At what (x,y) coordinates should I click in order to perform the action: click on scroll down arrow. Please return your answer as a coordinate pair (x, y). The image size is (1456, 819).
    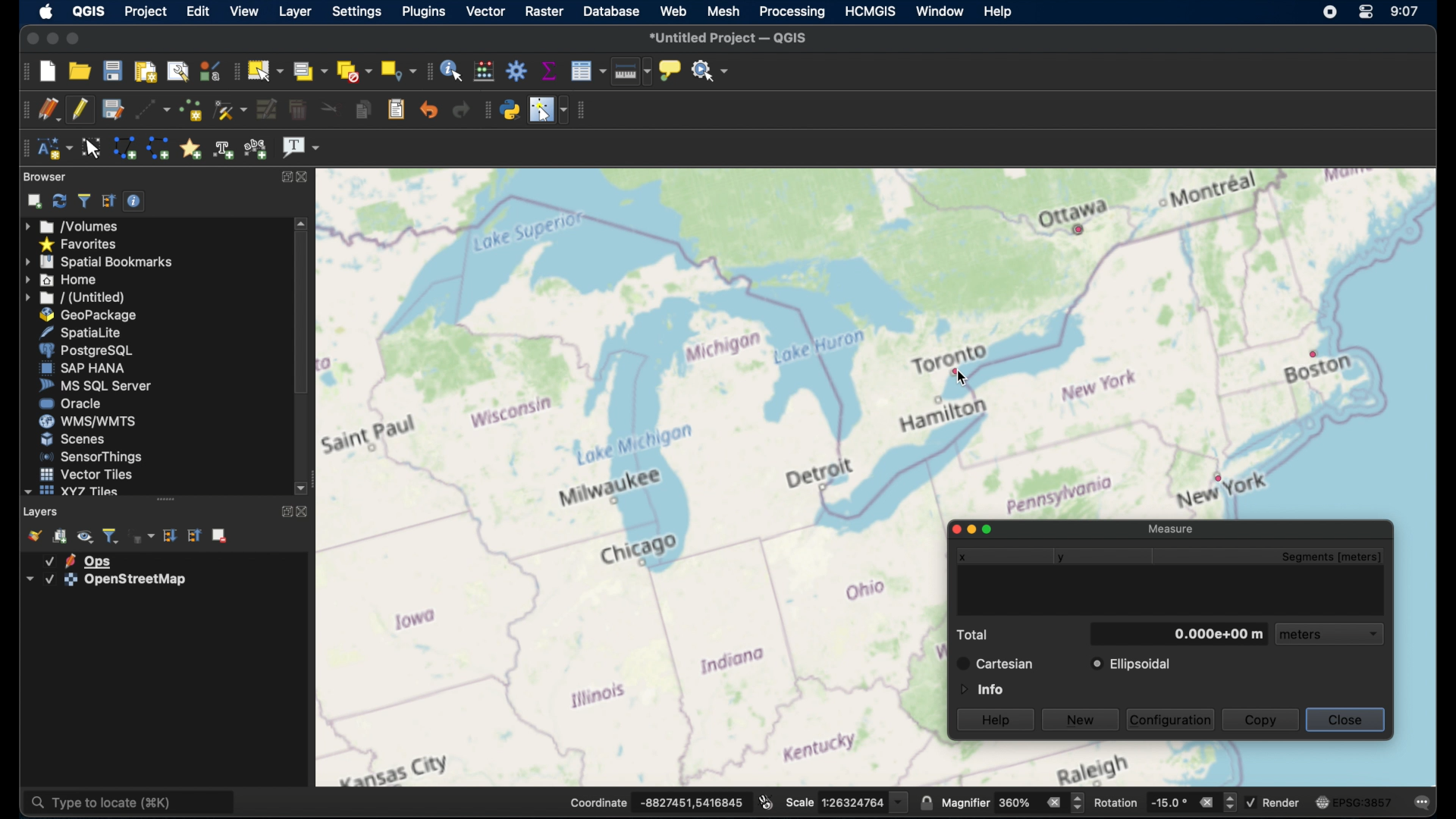
    Looking at the image, I should click on (303, 489).